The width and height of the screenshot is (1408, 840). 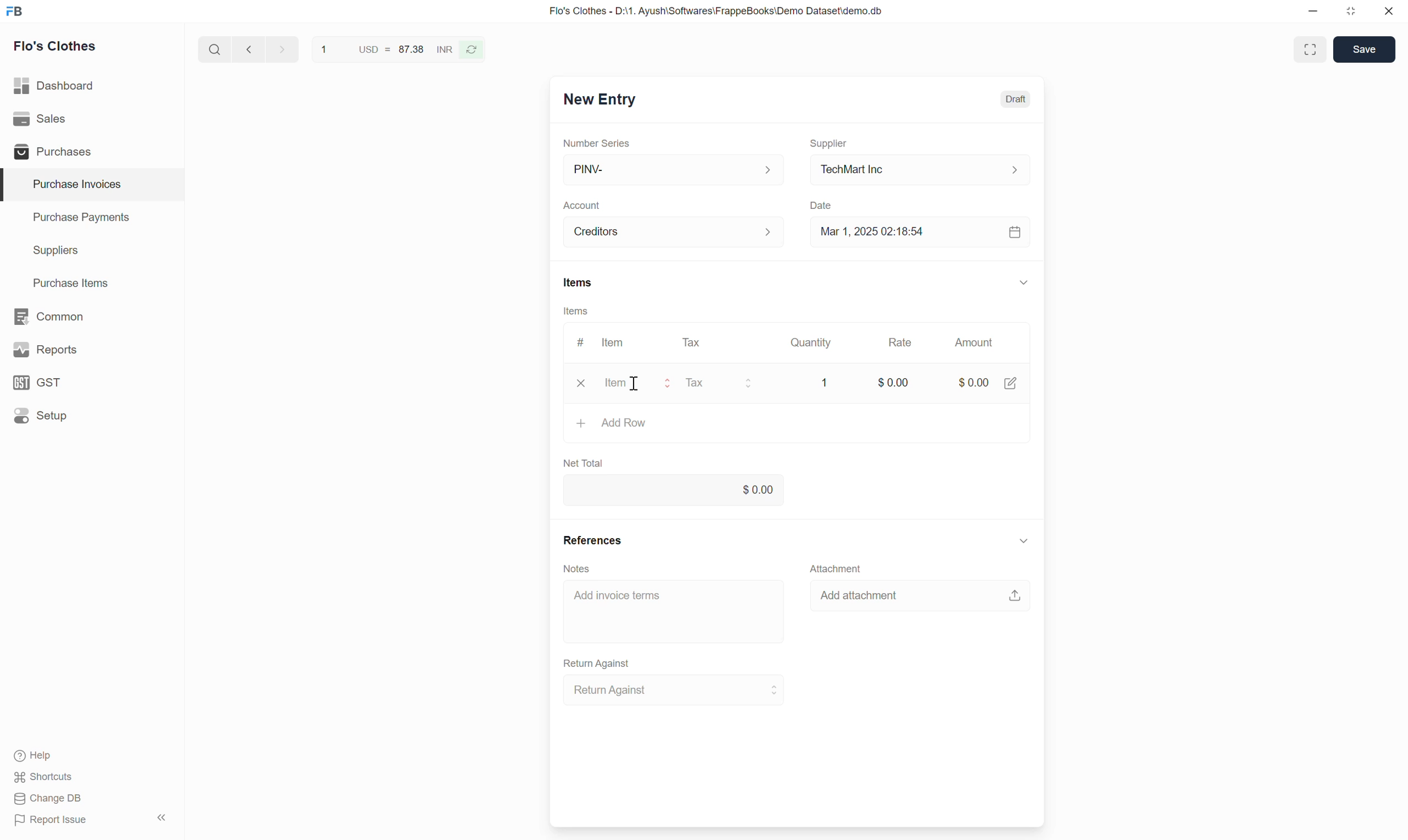 What do you see at coordinates (14, 11) in the screenshot?
I see `Frappe Books logo` at bounding box center [14, 11].